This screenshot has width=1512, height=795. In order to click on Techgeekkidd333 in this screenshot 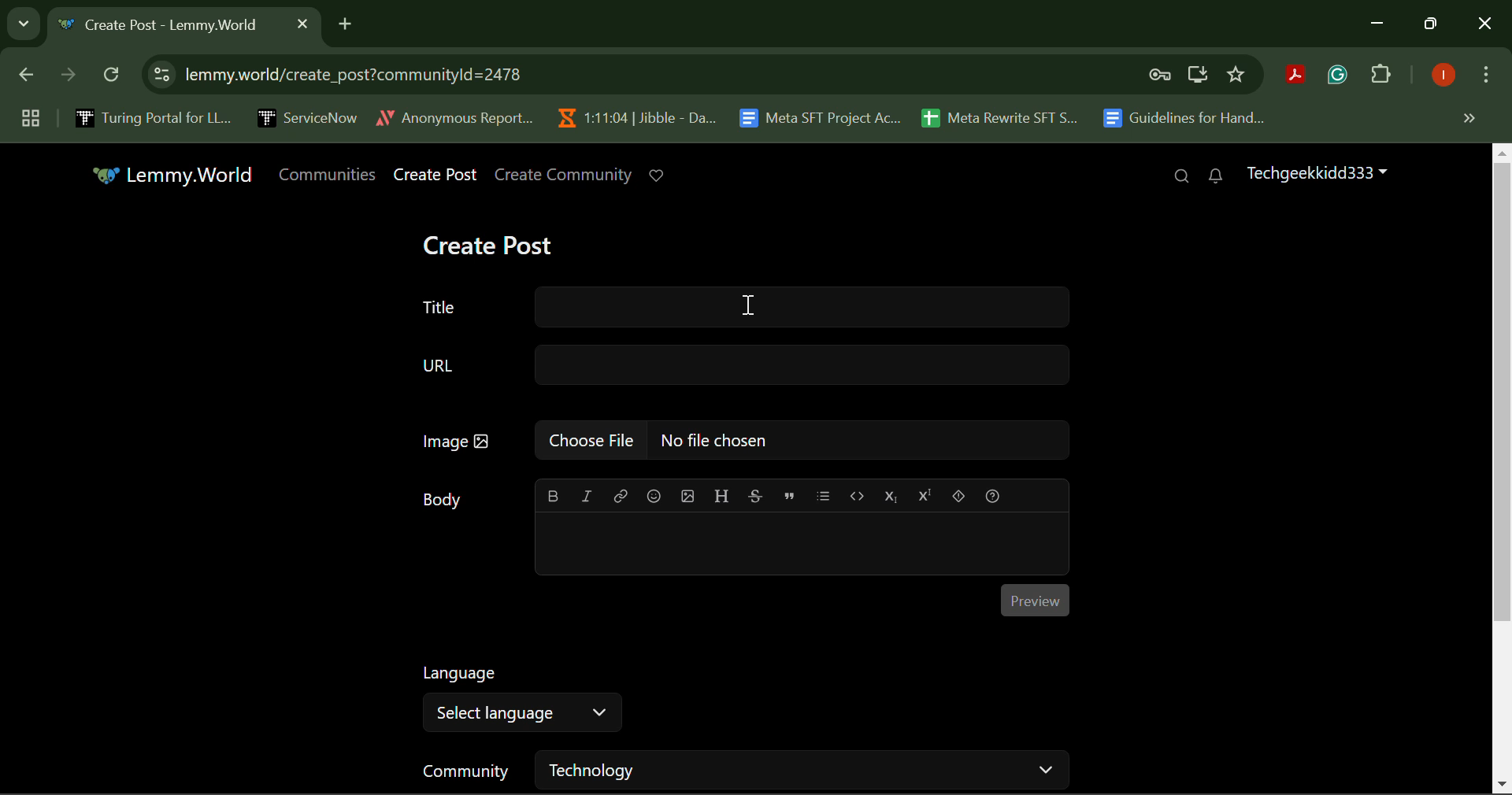, I will do `click(1315, 172)`.